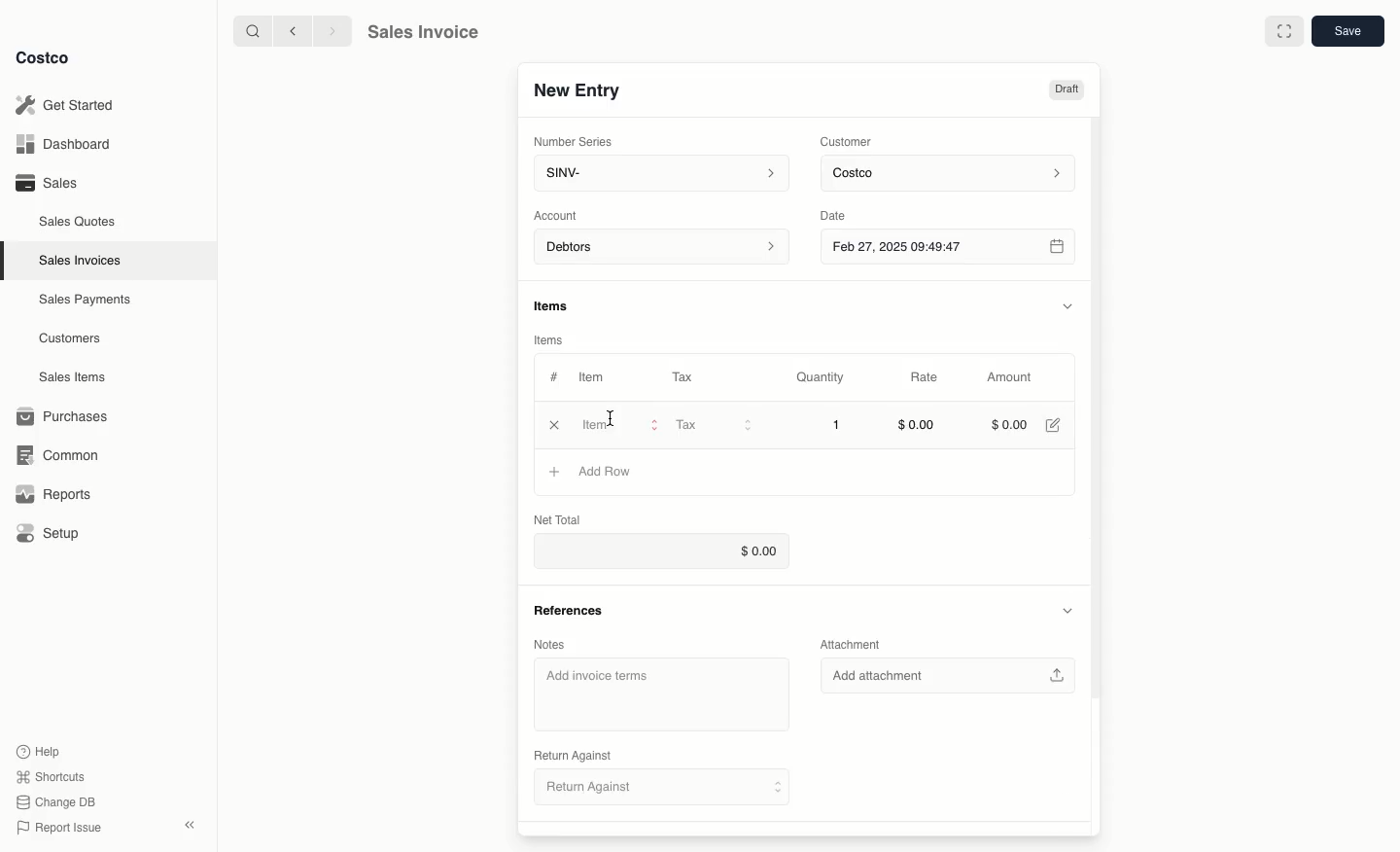  What do you see at coordinates (1007, 378) in the screenshot?
I see `Amount` at bounding box center [1007, 378].